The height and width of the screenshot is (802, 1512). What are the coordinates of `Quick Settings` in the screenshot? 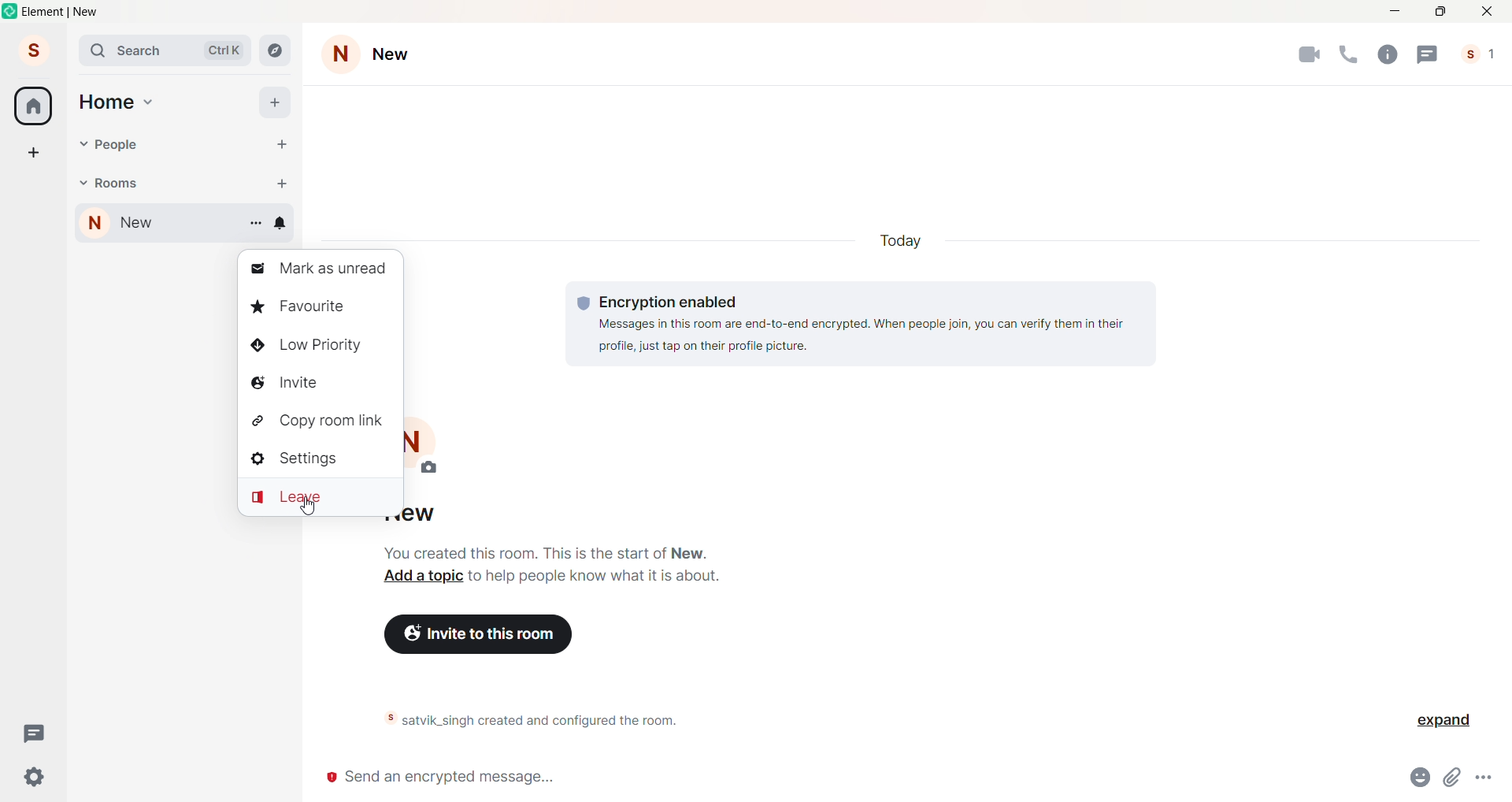 It's located at (36, 776).